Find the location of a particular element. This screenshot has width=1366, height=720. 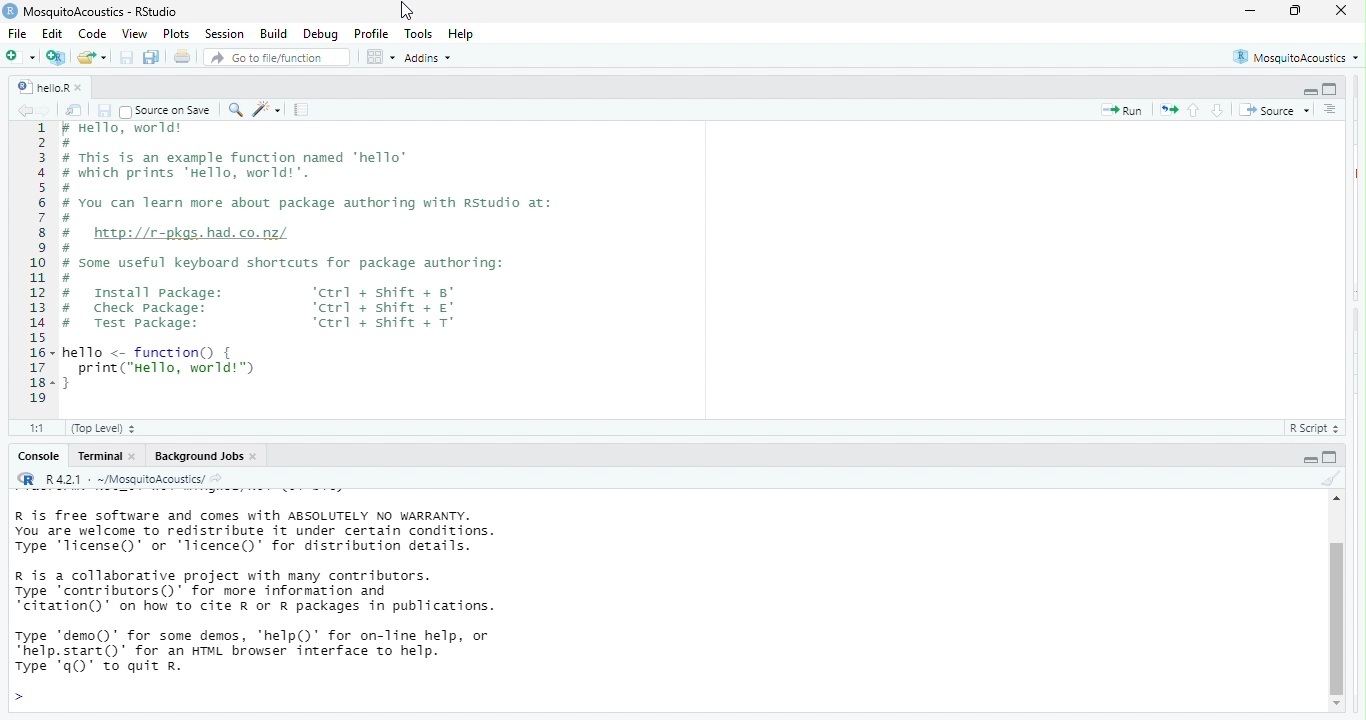

RScript  is located at coordinates (1309, 431).